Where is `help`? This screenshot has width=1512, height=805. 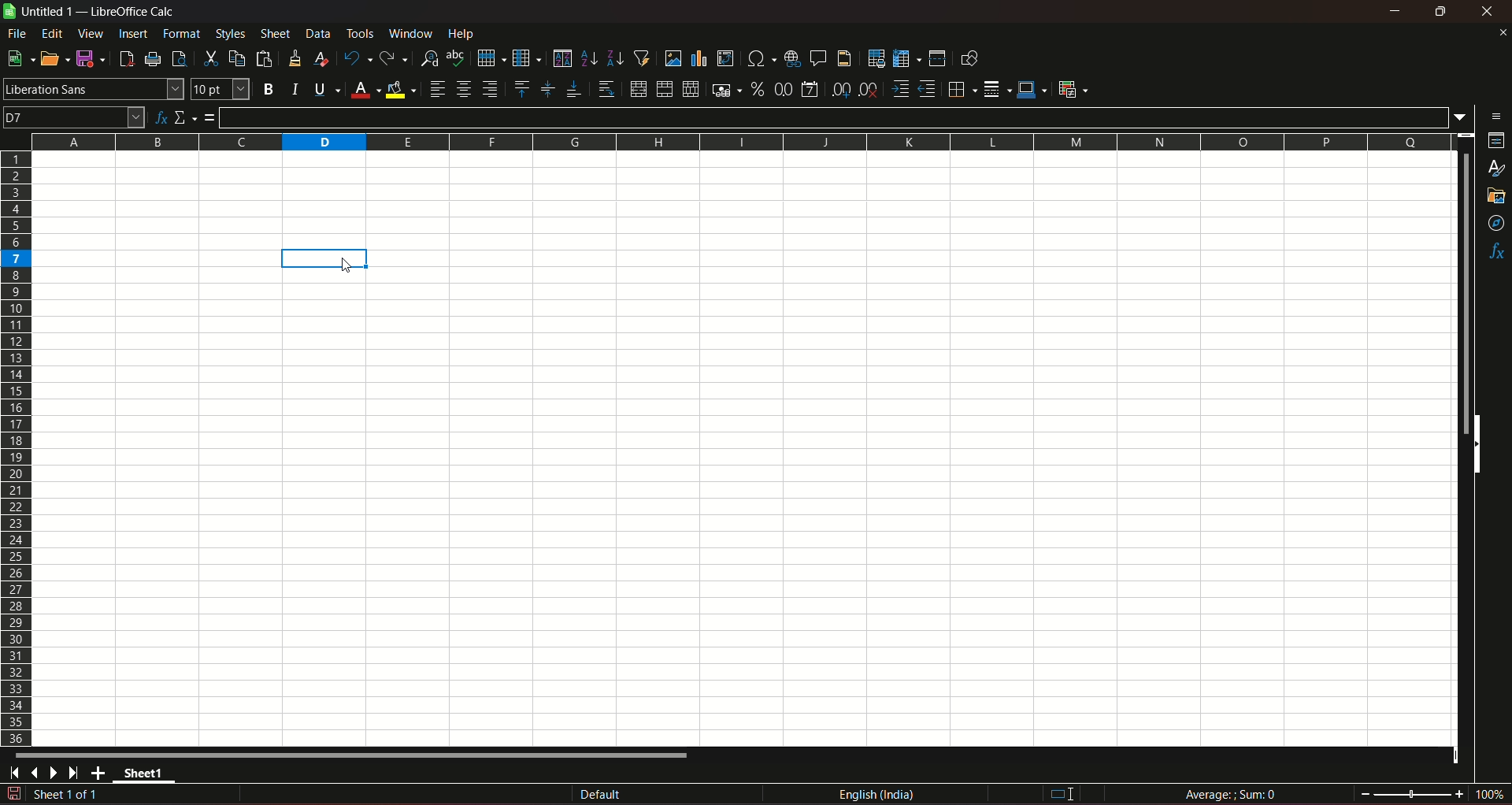
help is located at coordinates (465, 33).